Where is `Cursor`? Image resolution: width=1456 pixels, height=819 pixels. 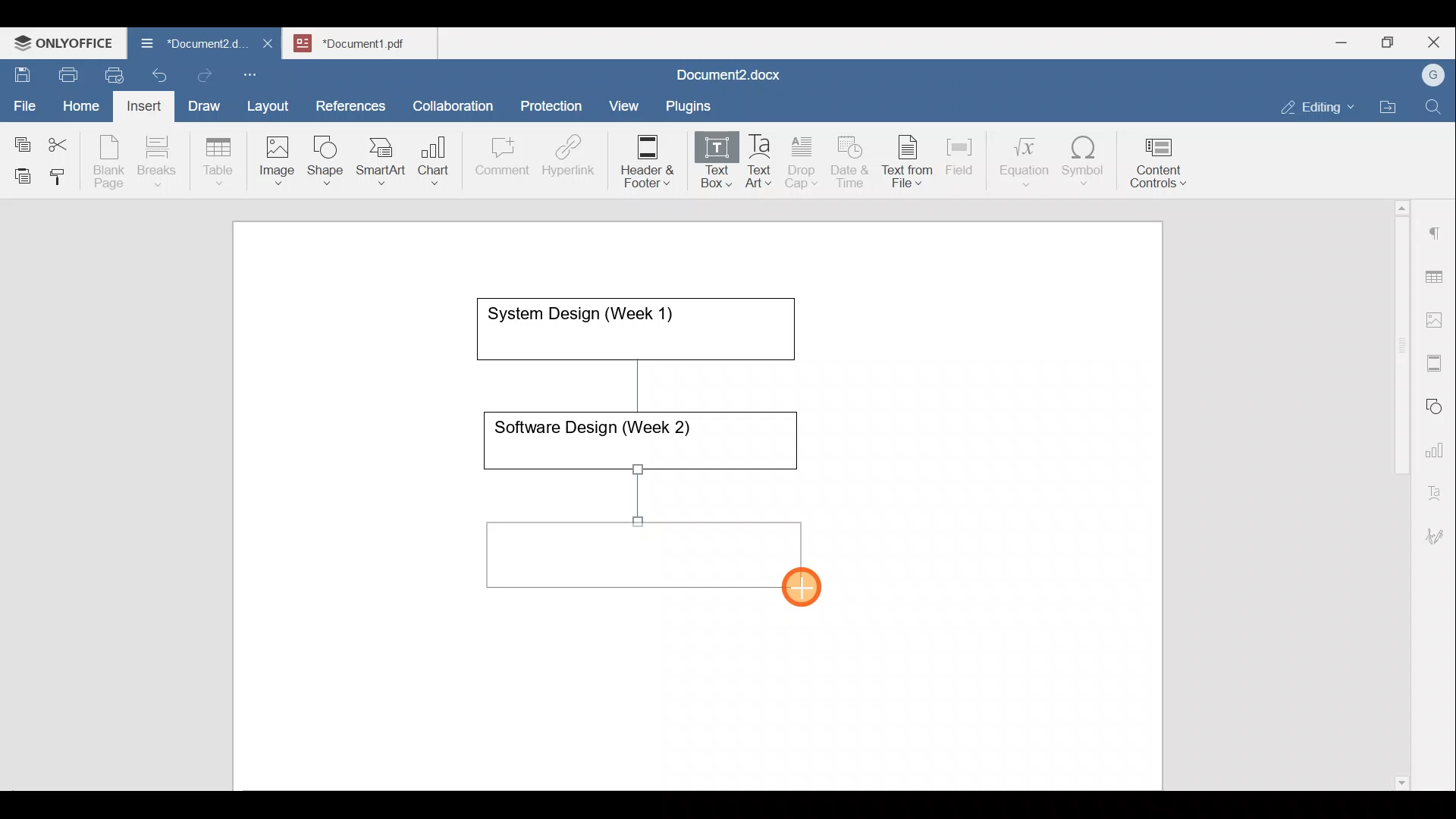 Cursor is located at coordinates (820, 593).